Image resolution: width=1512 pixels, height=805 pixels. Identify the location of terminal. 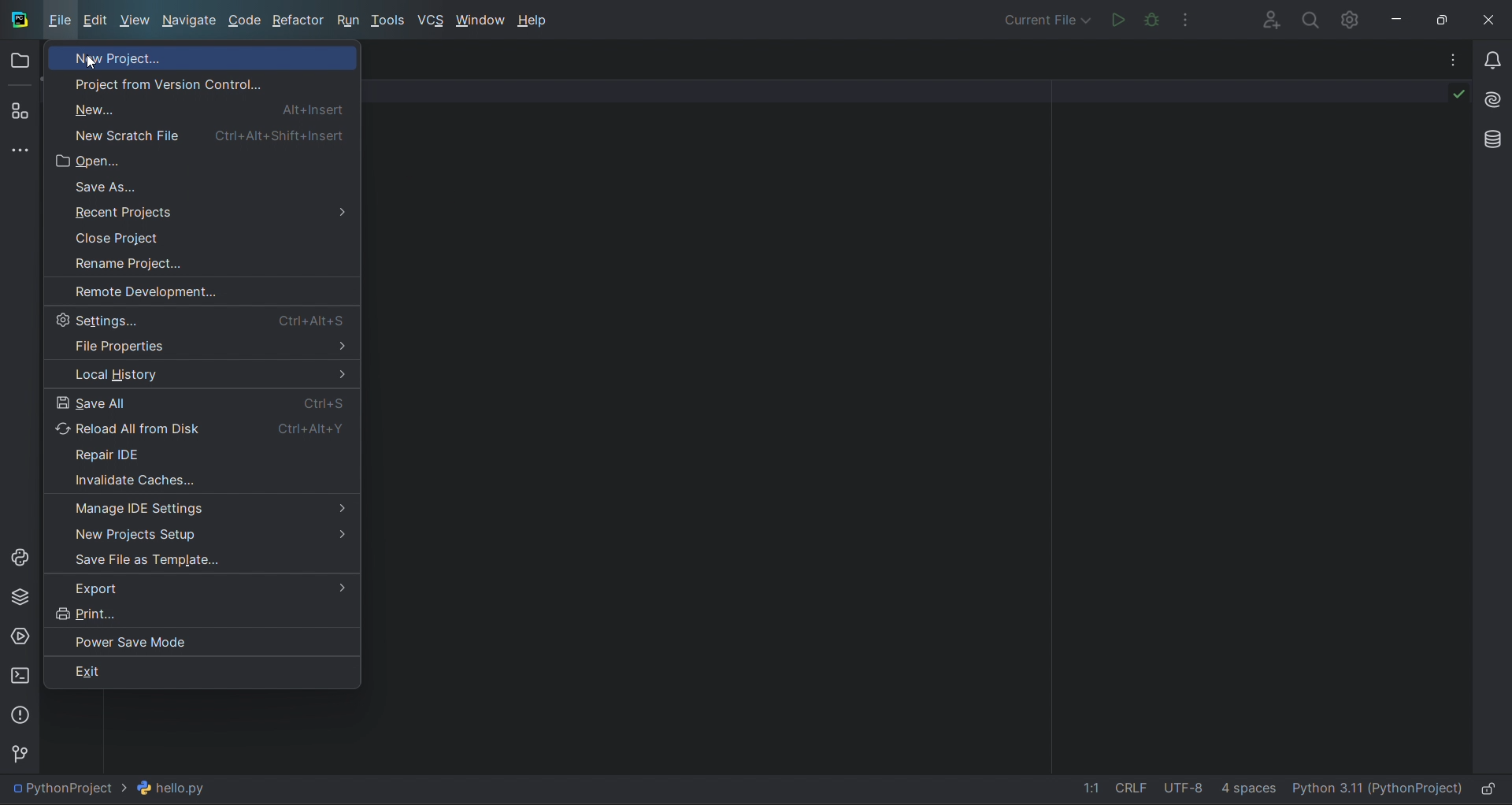
(19, 675).